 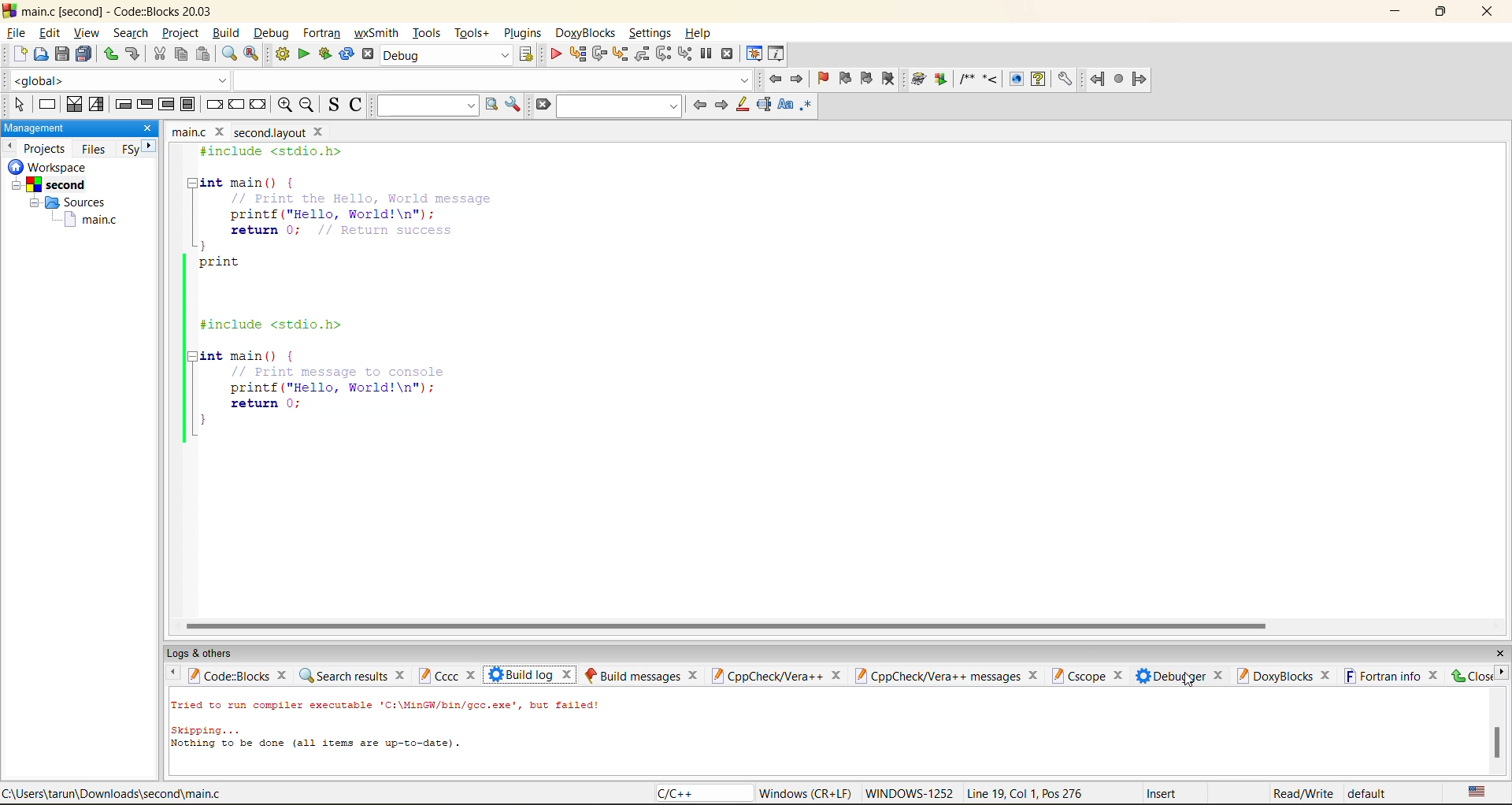 I want to click on selected text, so click(x=765, y=106).